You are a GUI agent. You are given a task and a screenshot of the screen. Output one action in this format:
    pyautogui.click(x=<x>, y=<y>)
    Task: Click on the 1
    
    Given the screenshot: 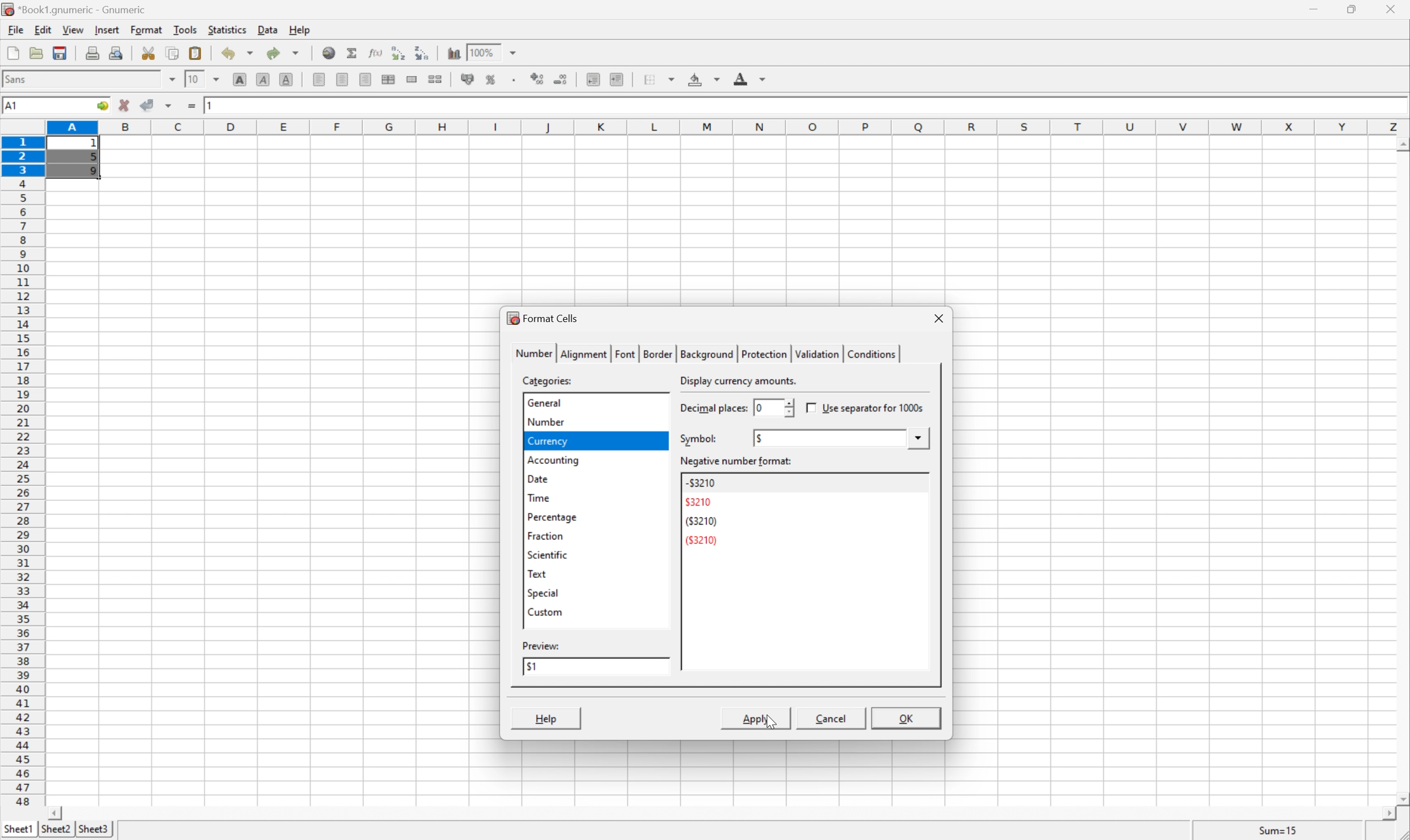 What is the action you would take?
    pyautogui.click(x=212, y=104)
    